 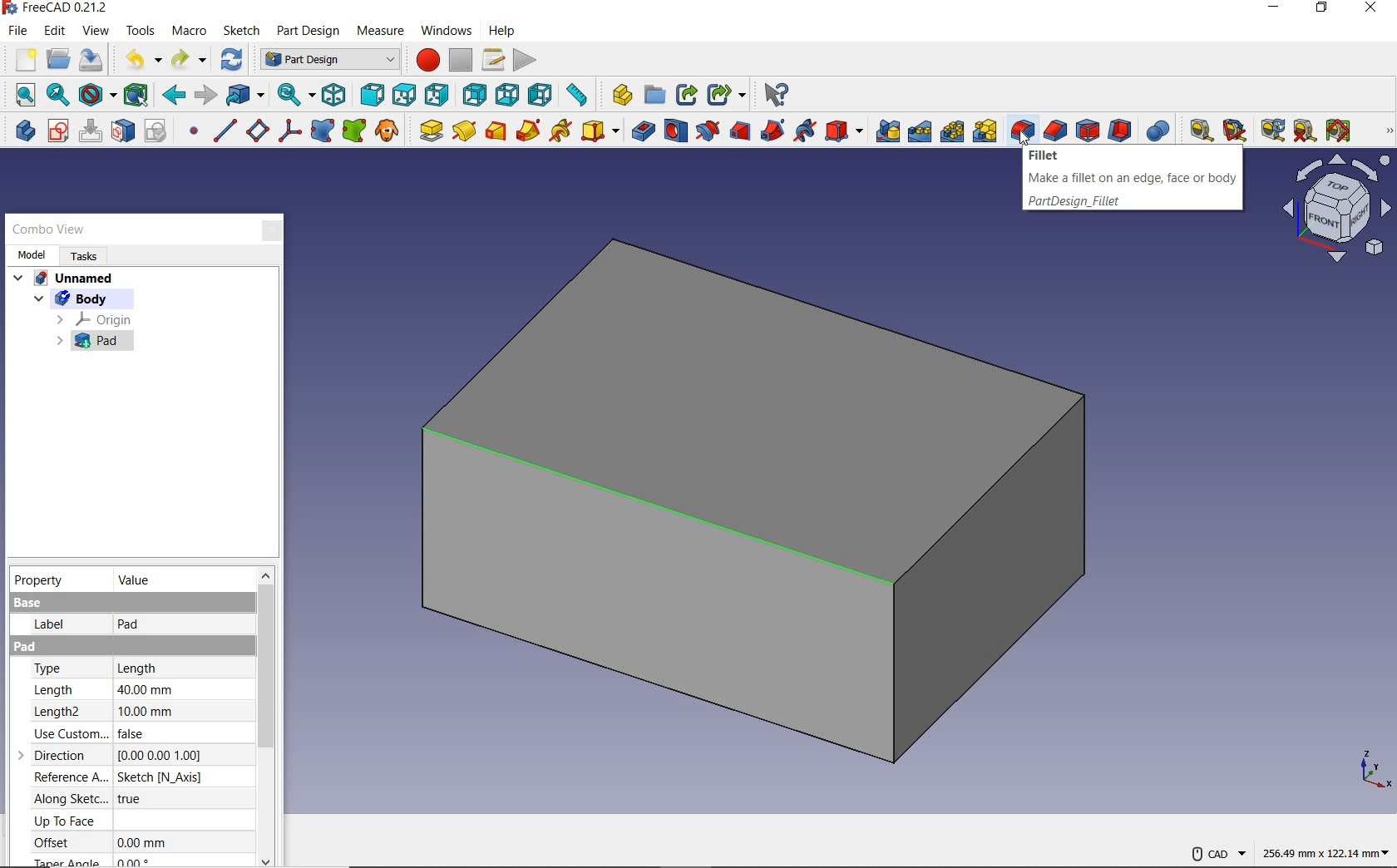 I want to click on bounding box, so click(x=140, y=95).